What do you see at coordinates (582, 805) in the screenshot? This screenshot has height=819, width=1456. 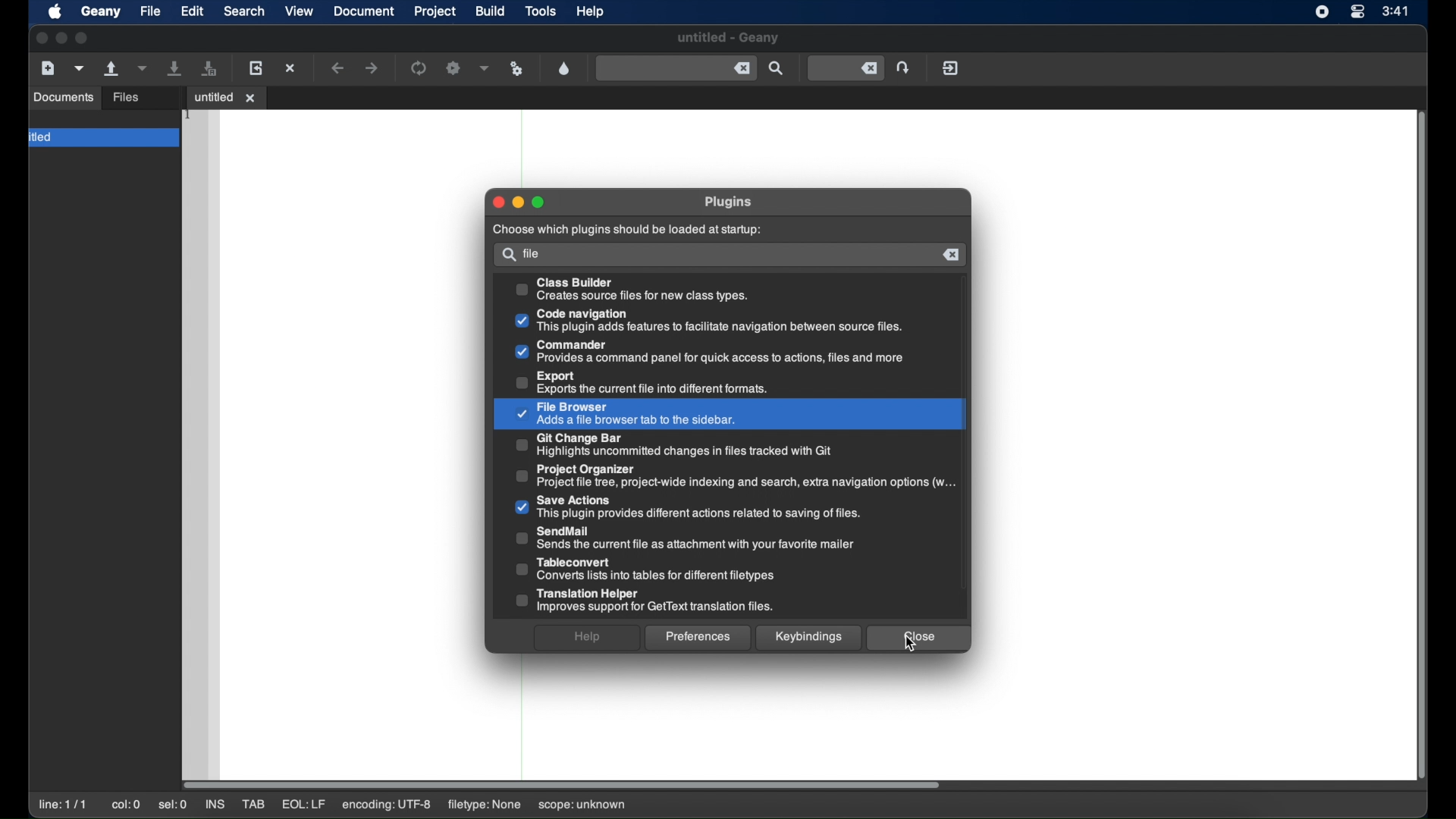 I see `scope: unknown` at bounding box center [582, 805].